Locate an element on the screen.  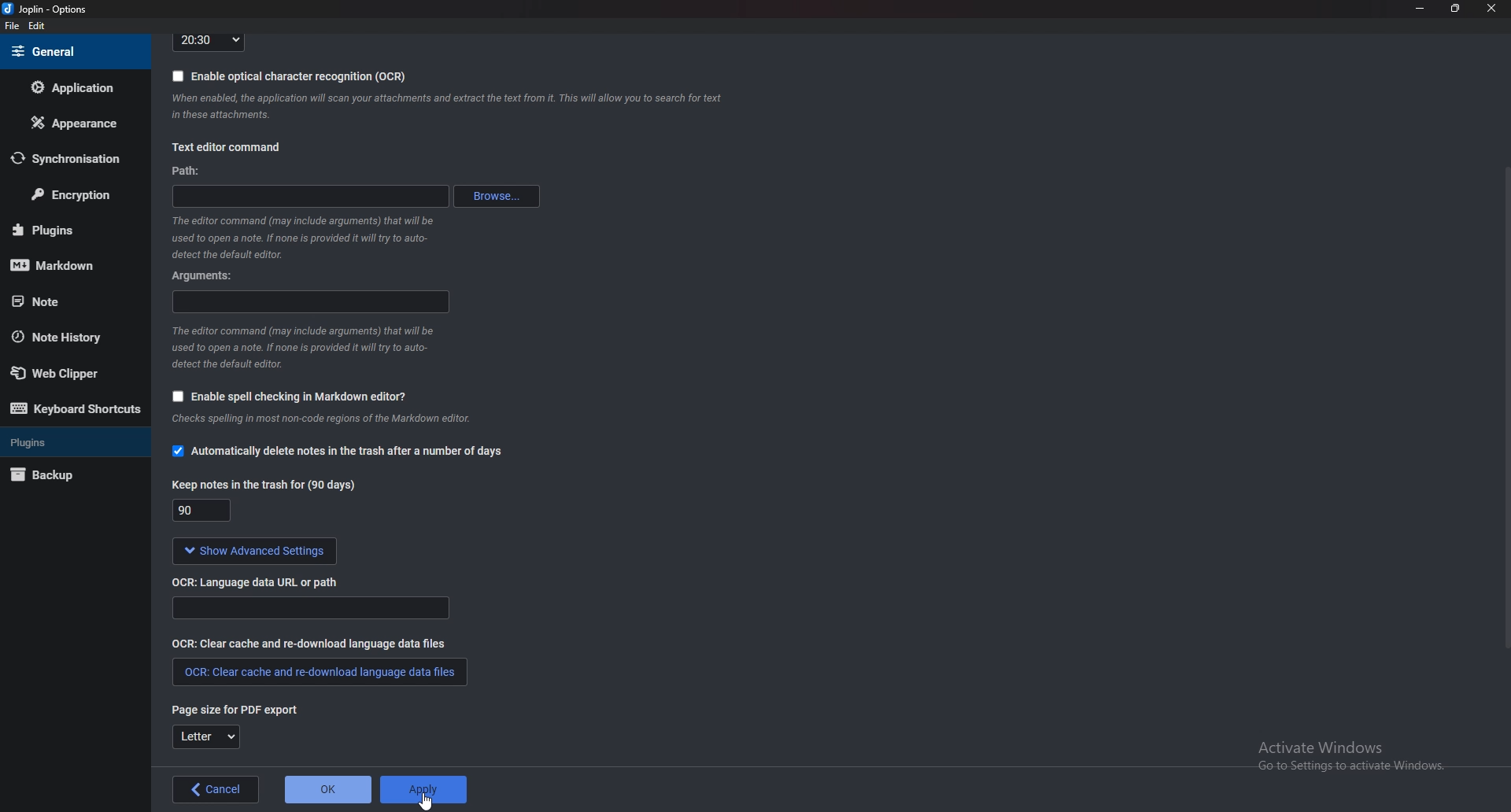
Appearance is located at coordinates (72, 123).